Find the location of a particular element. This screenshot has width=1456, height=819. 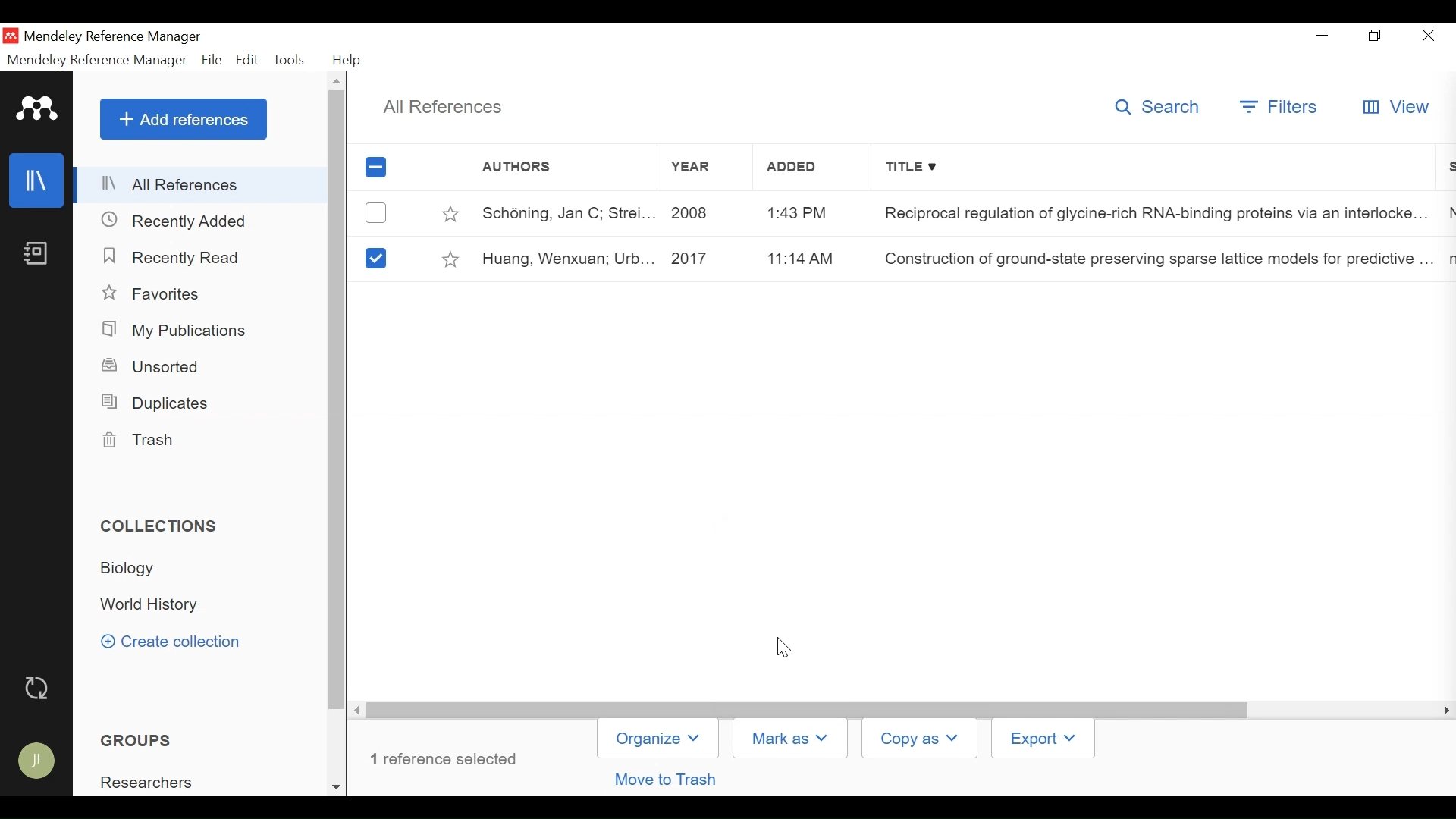

Scroll Right is located at coordinates (1444, 711).